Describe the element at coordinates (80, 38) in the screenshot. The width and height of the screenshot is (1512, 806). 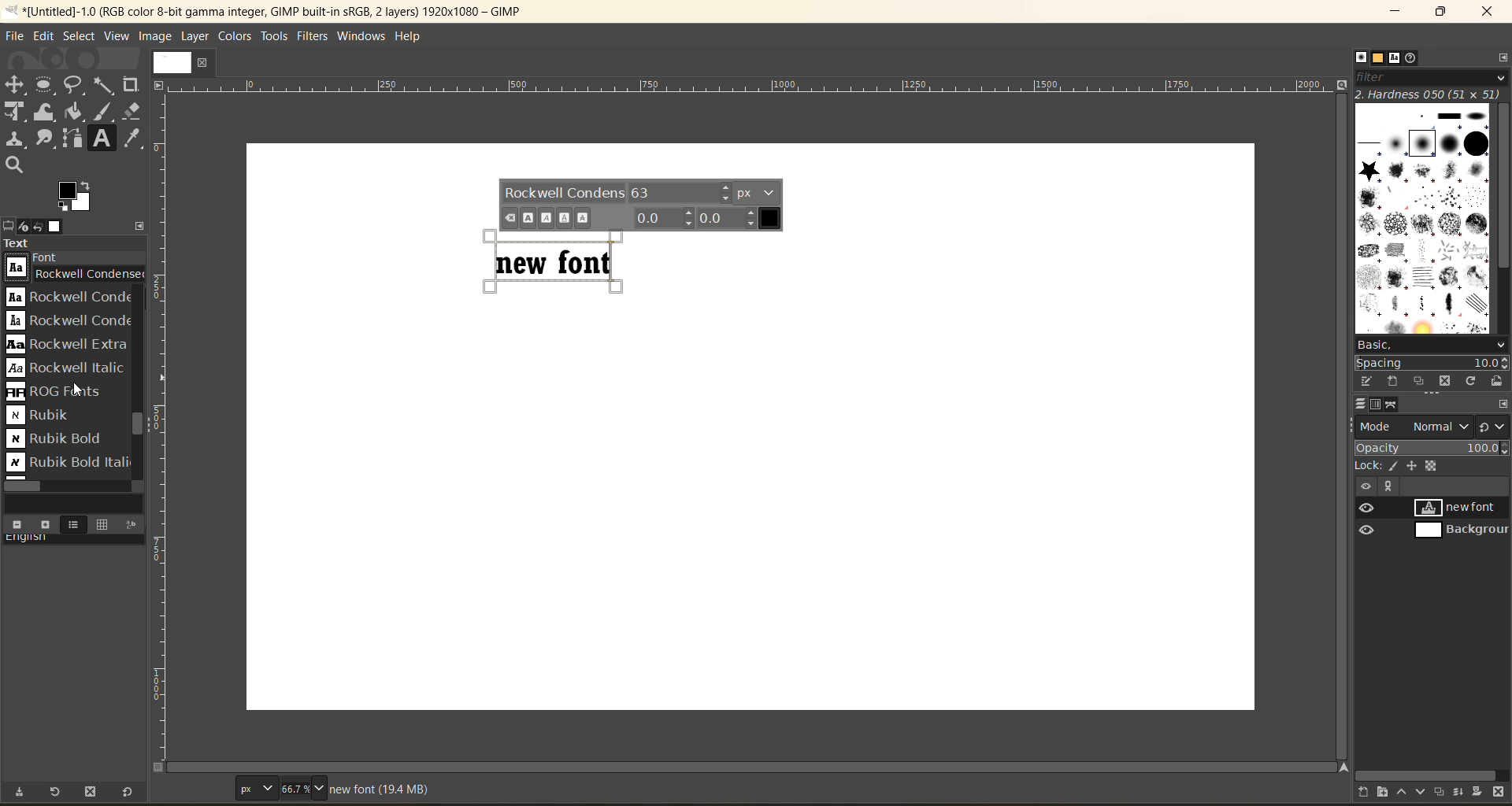
I see `select` at that location.